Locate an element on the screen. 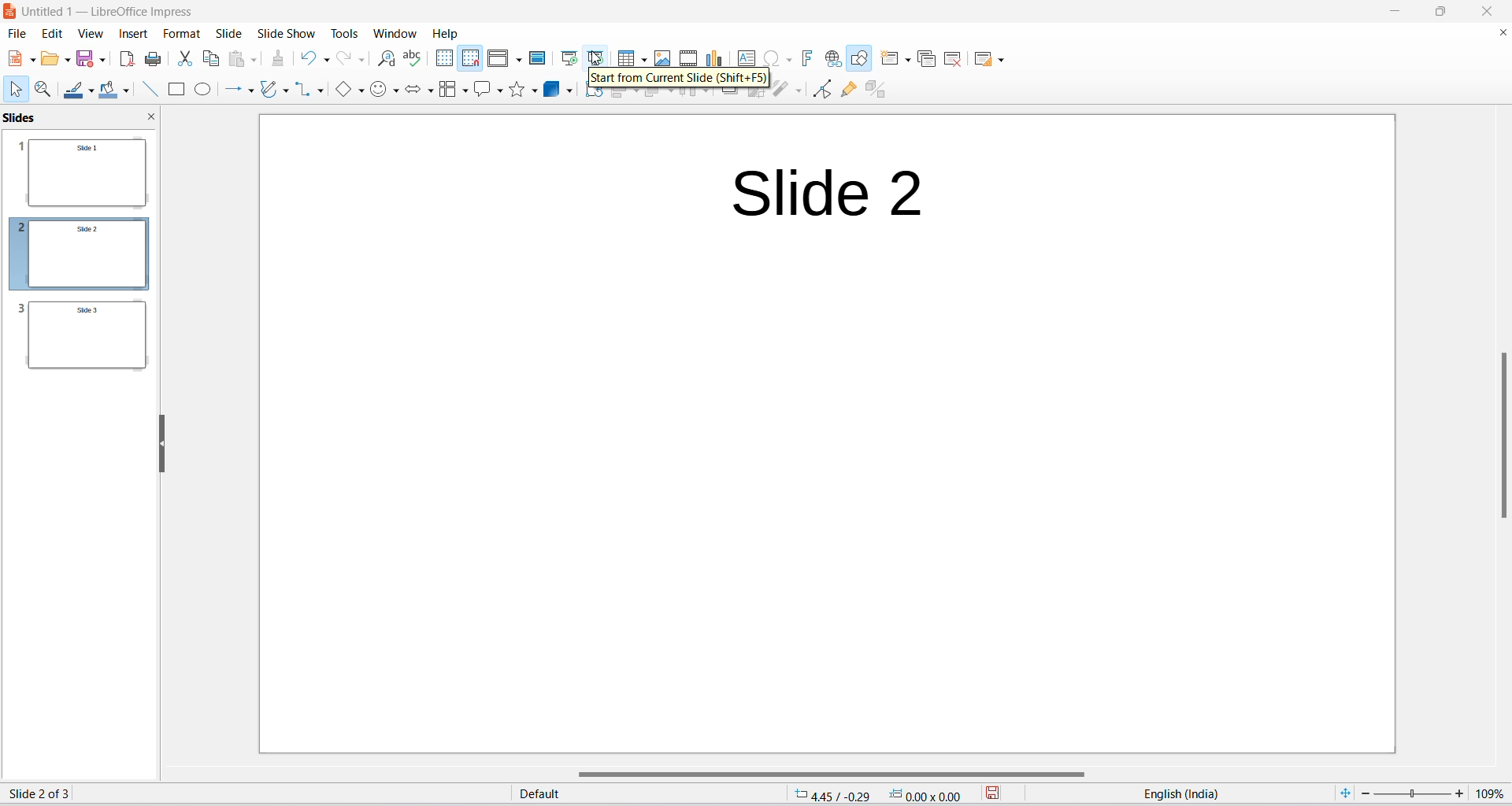 The height and width of the screenshot is (806, 1512). save is located at coordinates (83, 59).